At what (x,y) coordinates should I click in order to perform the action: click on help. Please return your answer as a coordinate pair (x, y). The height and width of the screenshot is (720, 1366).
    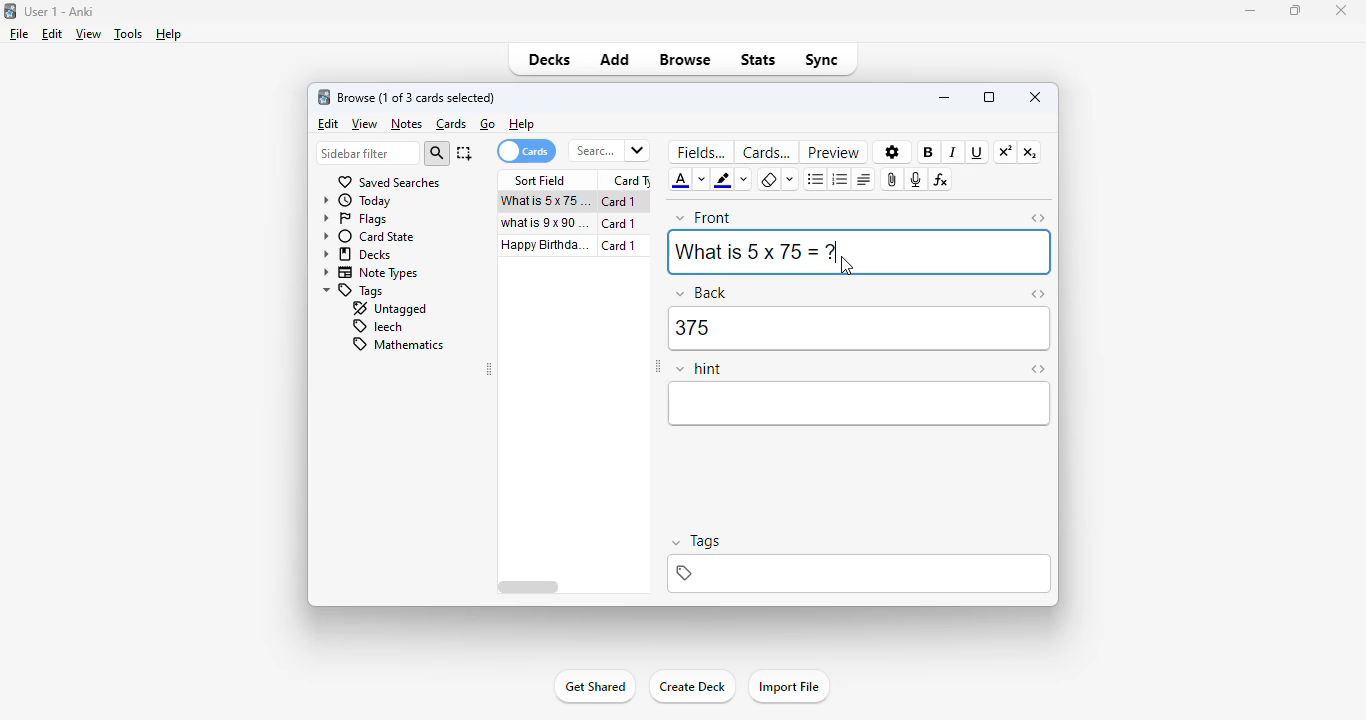
    Looking at the image, I should click on (169, 35).